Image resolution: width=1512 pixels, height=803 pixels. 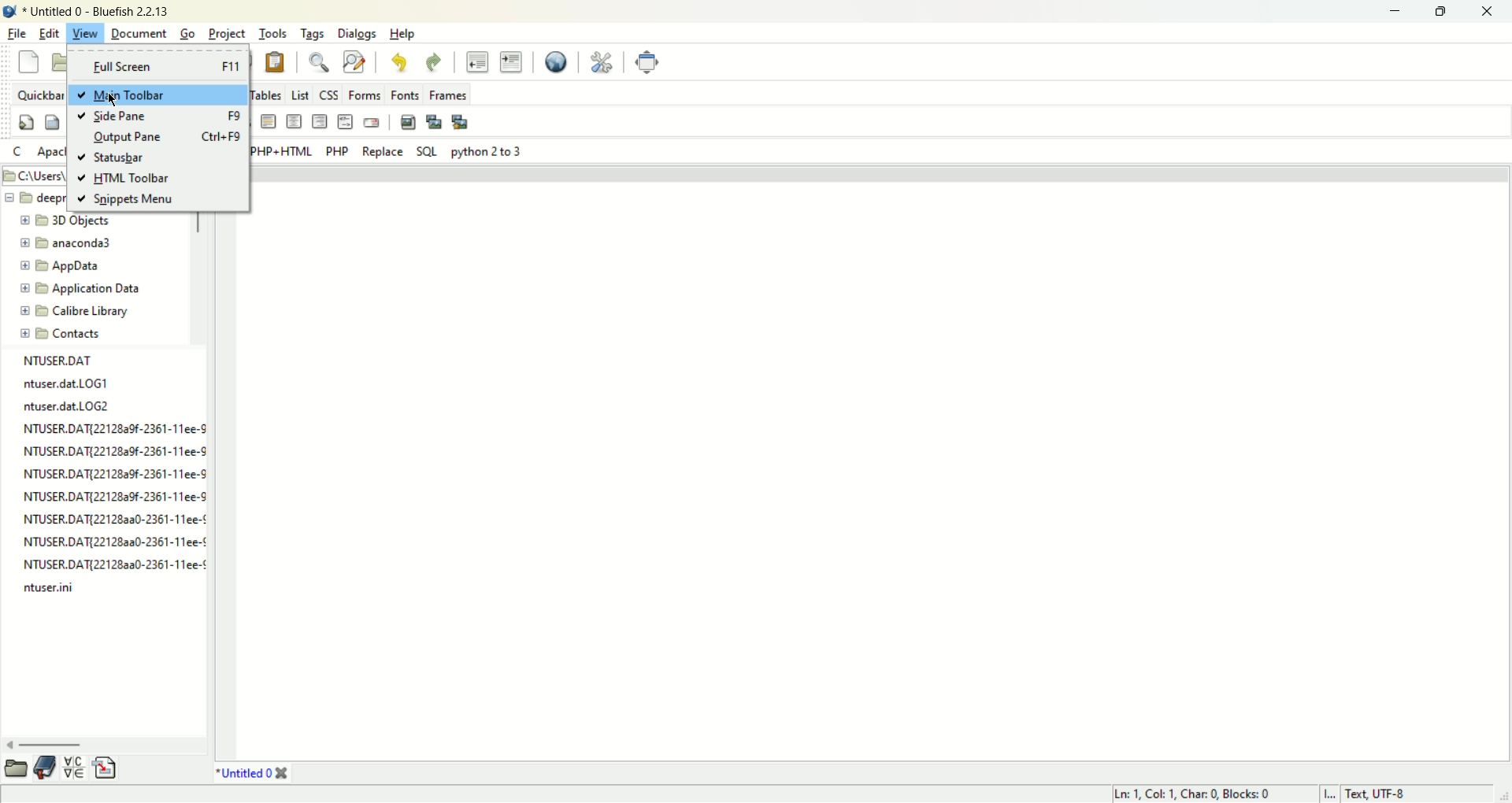 What do you see at coordinates (400, 61) in the screenshot?
I see `undo` at bounding box center [400, 61].